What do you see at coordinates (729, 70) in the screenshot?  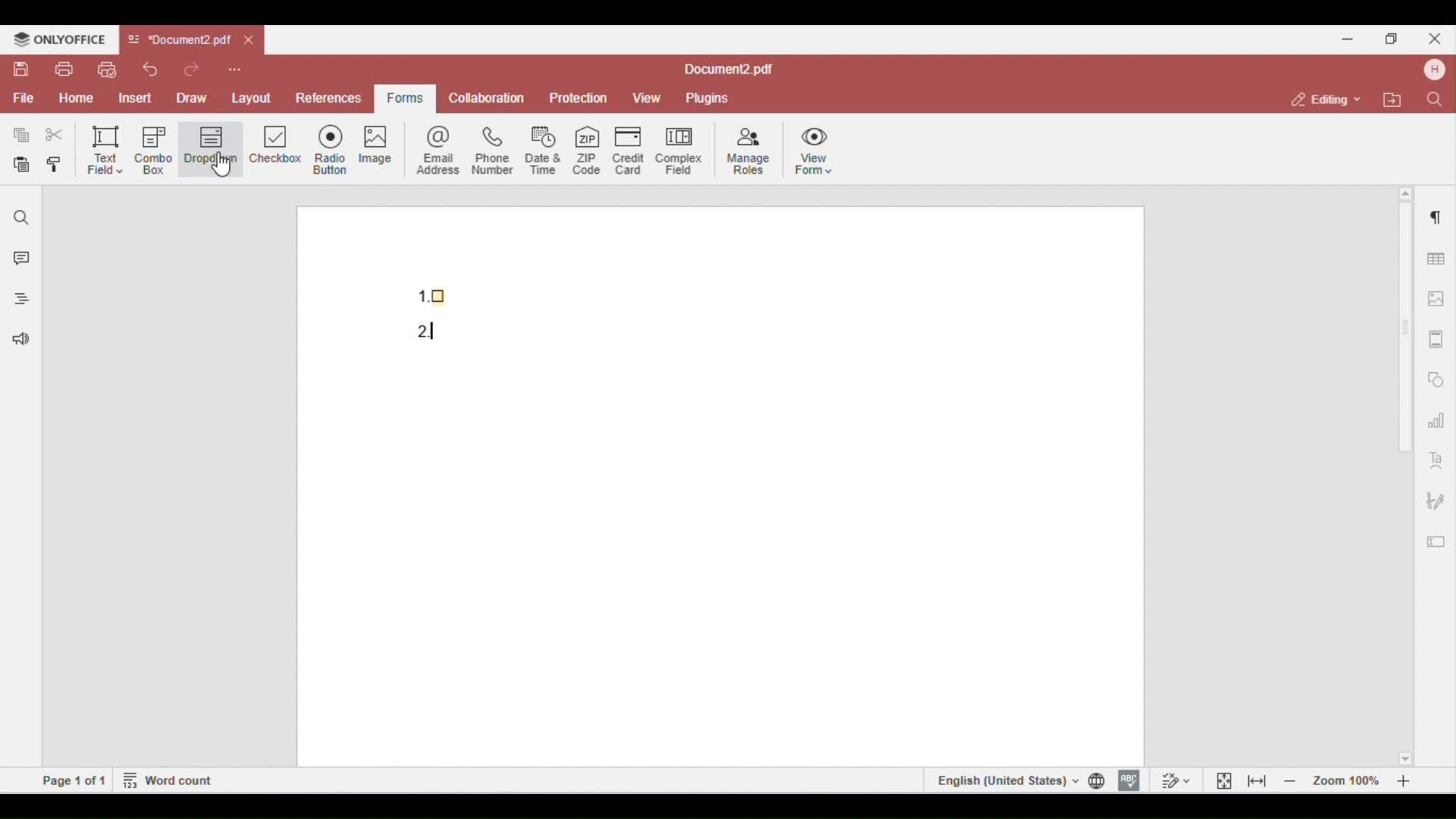 I see `document2` at bounding box center [729, 70].